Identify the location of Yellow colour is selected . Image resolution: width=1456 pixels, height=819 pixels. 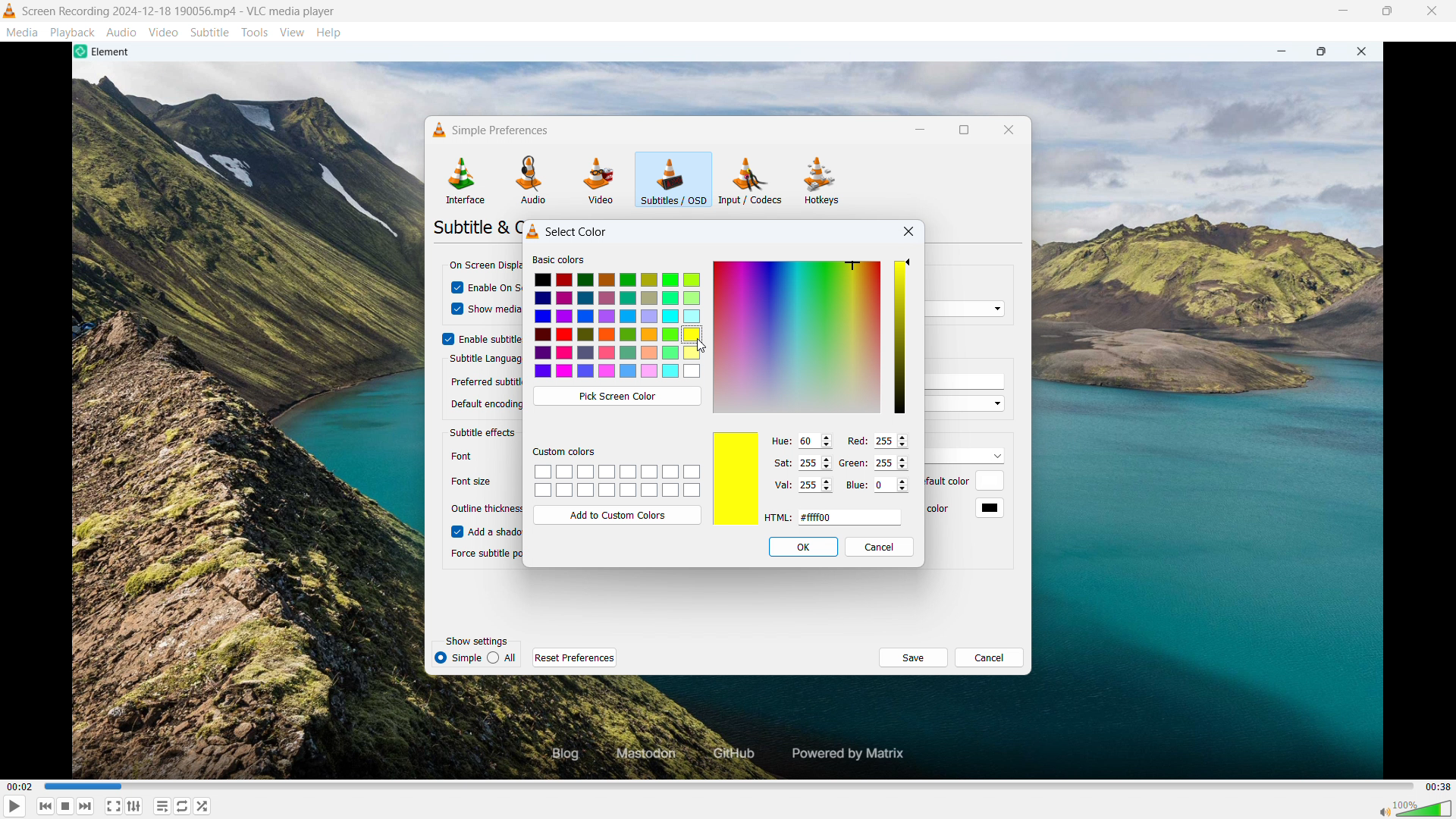
(692, 334).